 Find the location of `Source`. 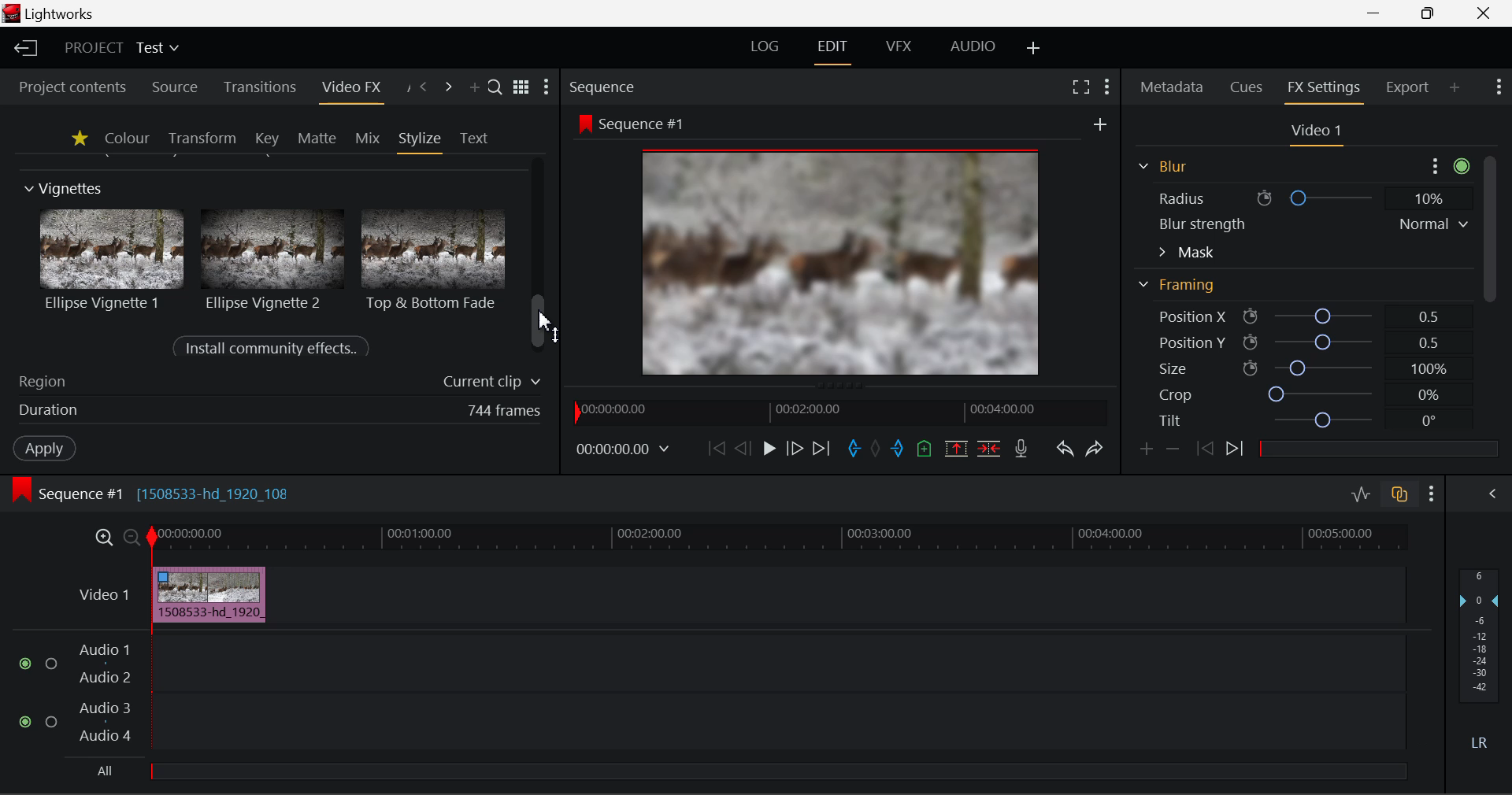

Source is located at coordinates (172, 86).